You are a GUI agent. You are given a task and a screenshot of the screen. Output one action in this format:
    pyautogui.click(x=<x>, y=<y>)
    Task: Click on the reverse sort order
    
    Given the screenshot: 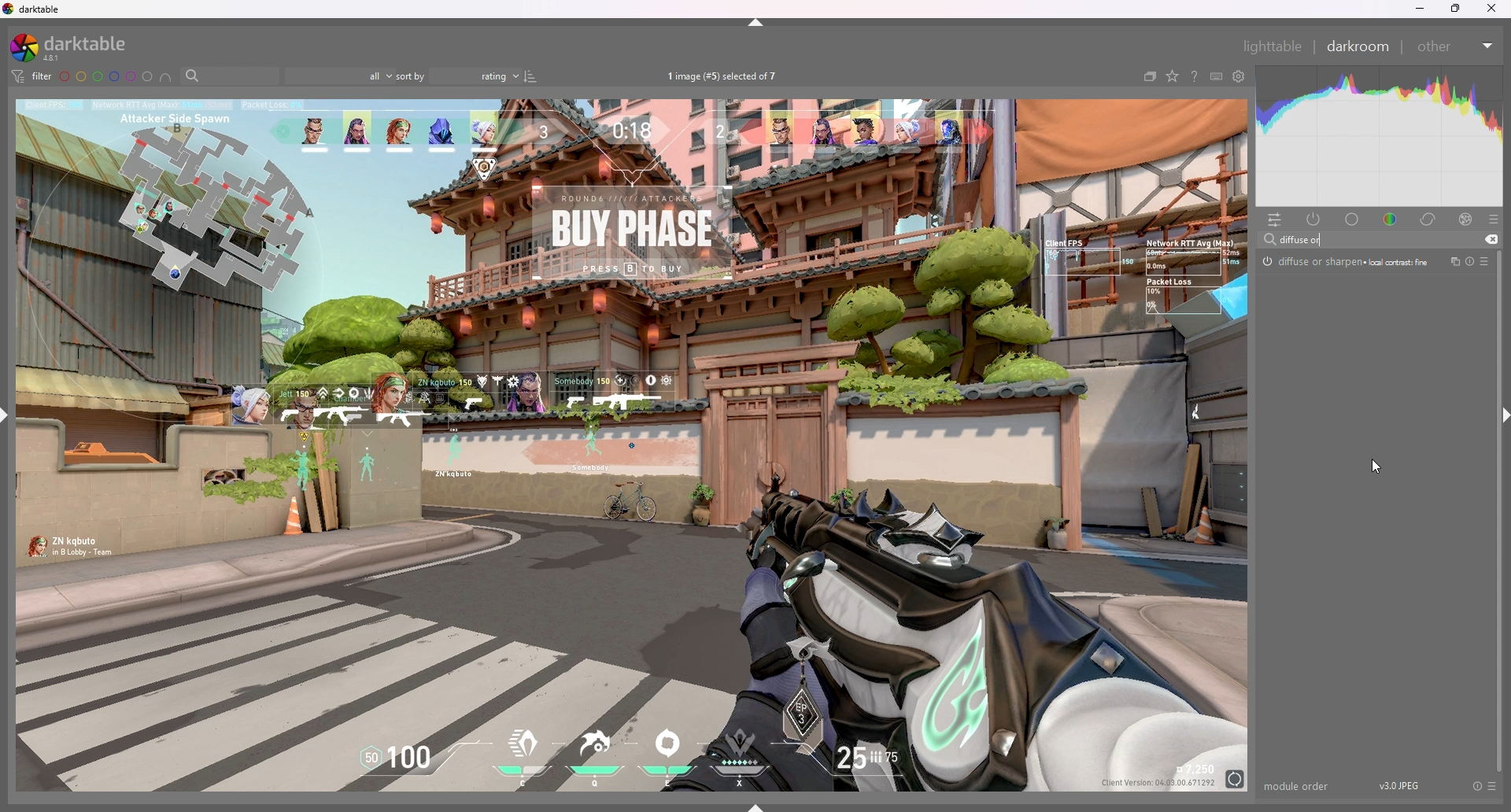 What is the action you would take?
    pyautogui.click(x=532, y=77)
    